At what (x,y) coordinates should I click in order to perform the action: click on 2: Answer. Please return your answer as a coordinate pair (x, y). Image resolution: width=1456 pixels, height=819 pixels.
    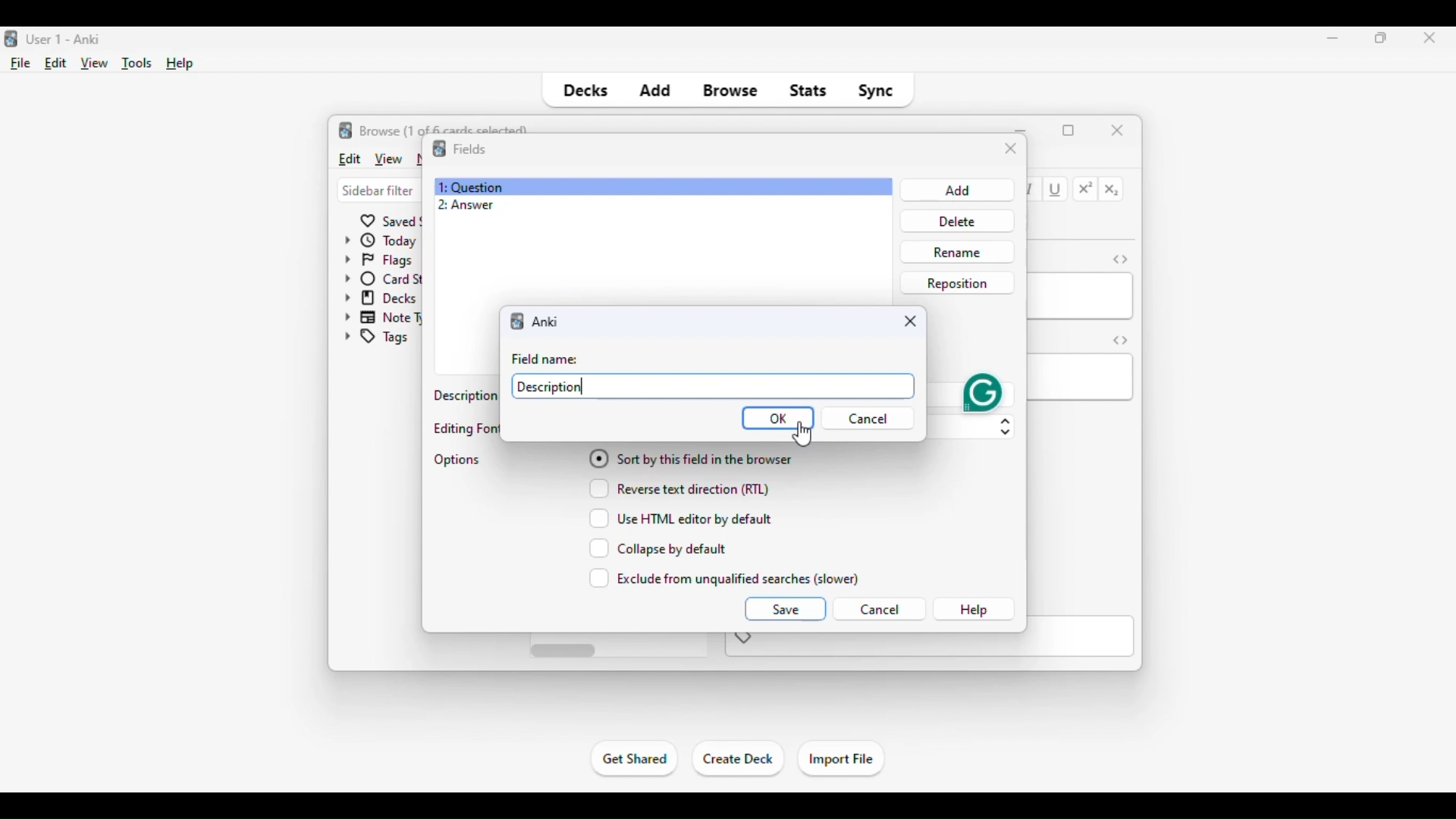
    Looking at the image, I should click on (466, 206).